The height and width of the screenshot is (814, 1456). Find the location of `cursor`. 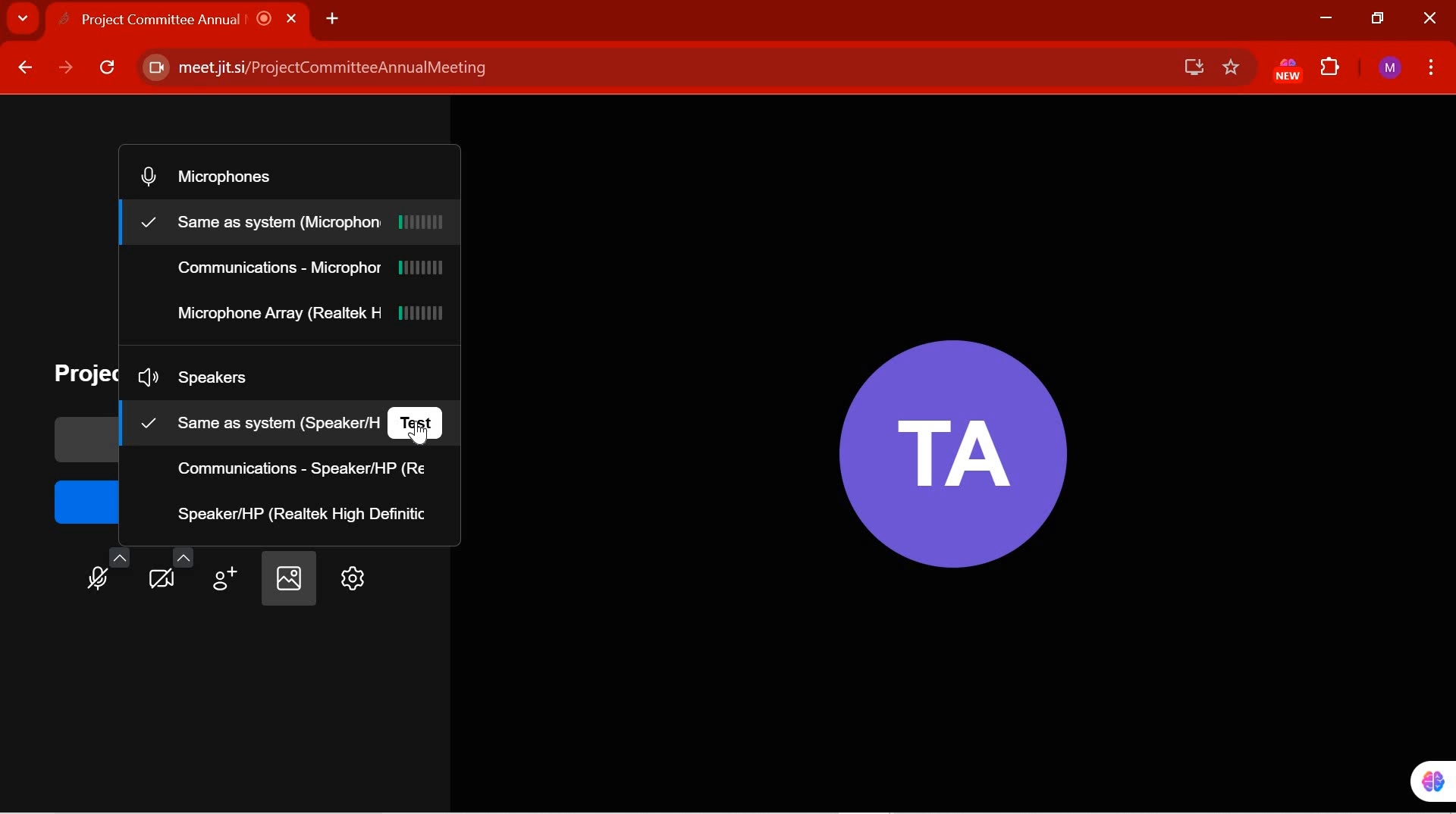

cursor is located at coordinates (422, 437).